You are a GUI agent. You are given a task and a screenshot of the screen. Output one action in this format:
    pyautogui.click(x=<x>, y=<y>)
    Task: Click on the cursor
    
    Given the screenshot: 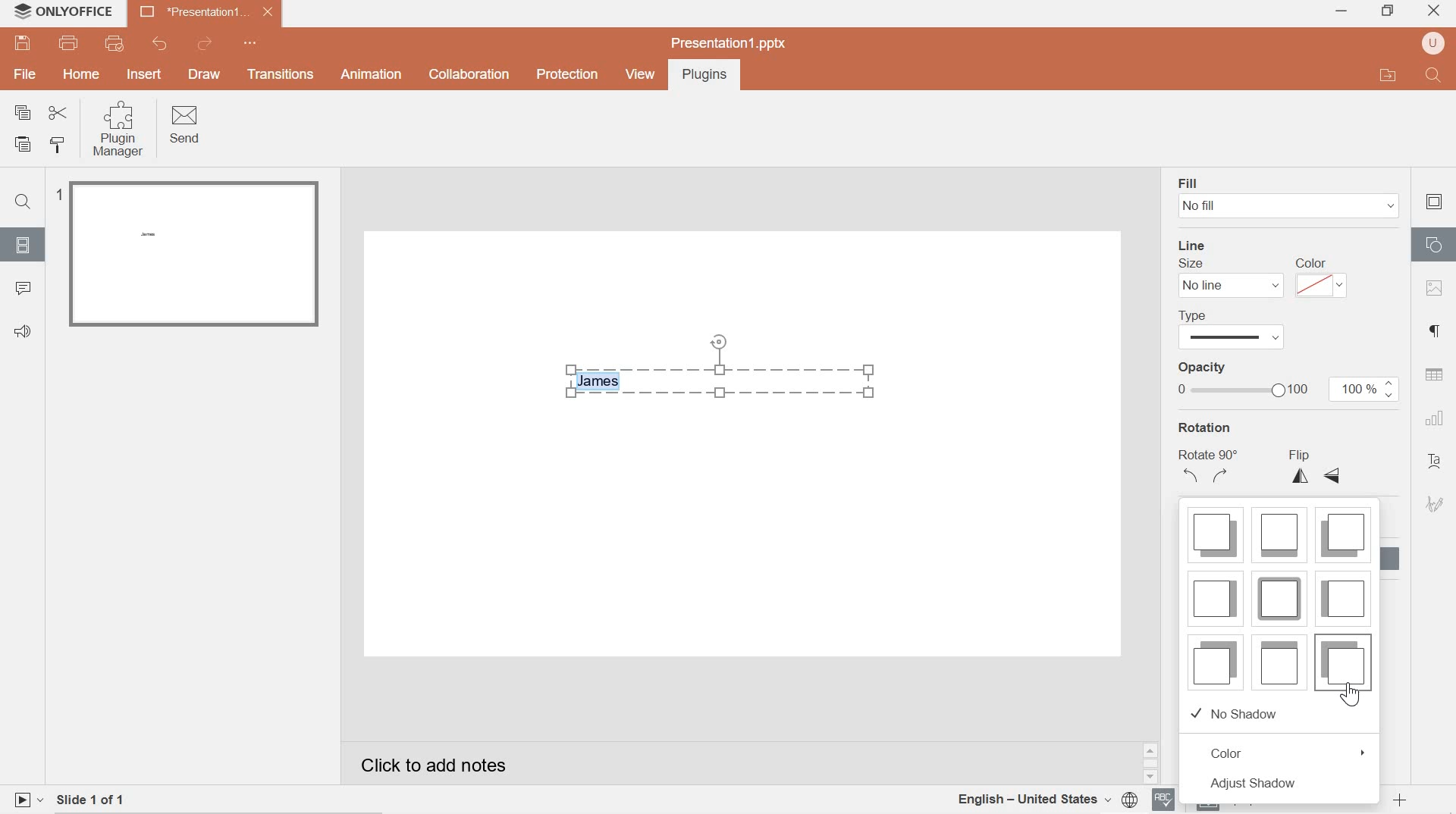 What is the action you would take?
    pyautogui.click(x=1350, y=693)
    